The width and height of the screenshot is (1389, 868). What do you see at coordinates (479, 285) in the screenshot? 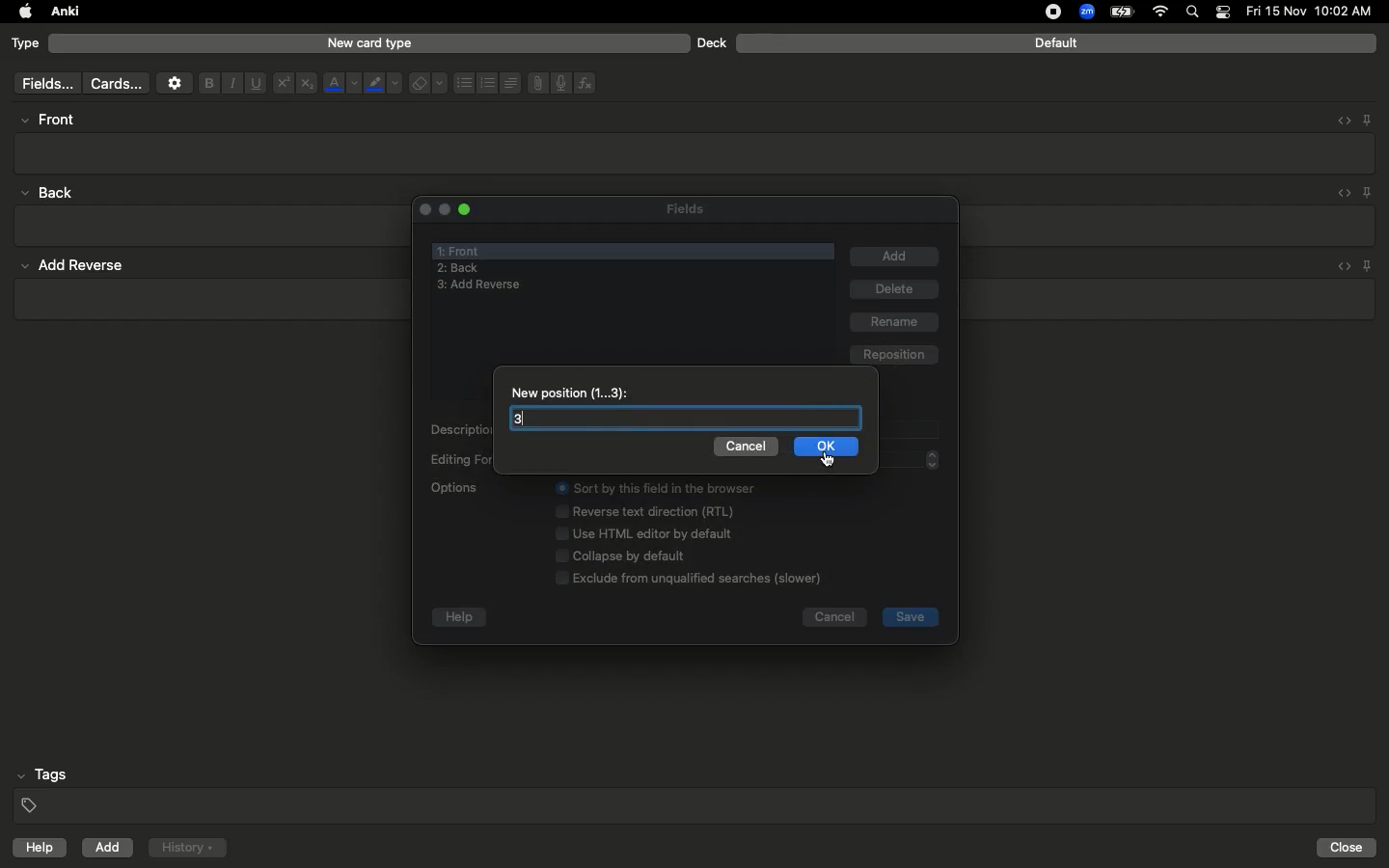
I see `add reverse` at bounding box center [479, 285].